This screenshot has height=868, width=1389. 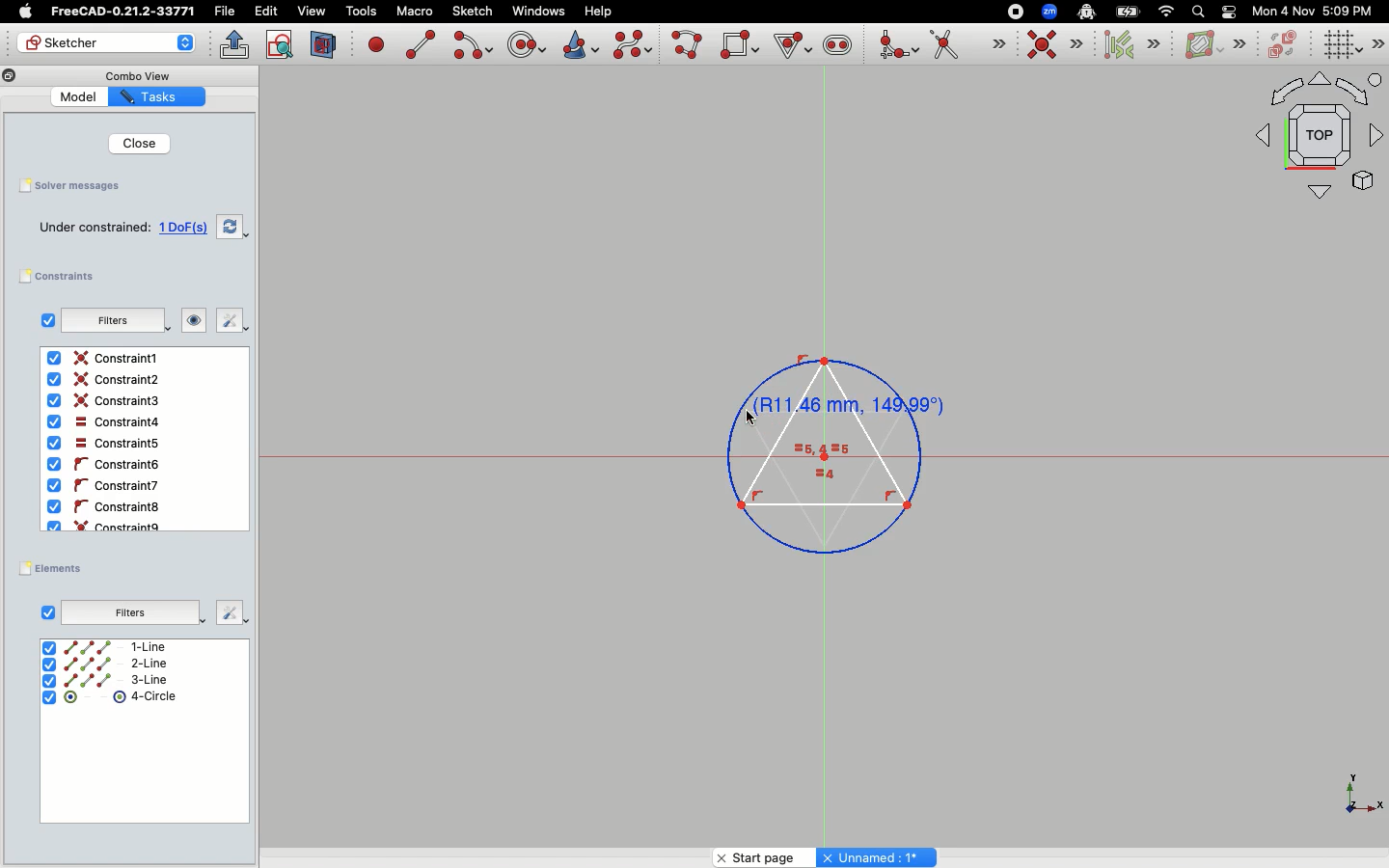 What do you see at coordinates (1340, 45) in the screenshot?
I see `Toggle grid` at bounding box center [1340, 45].